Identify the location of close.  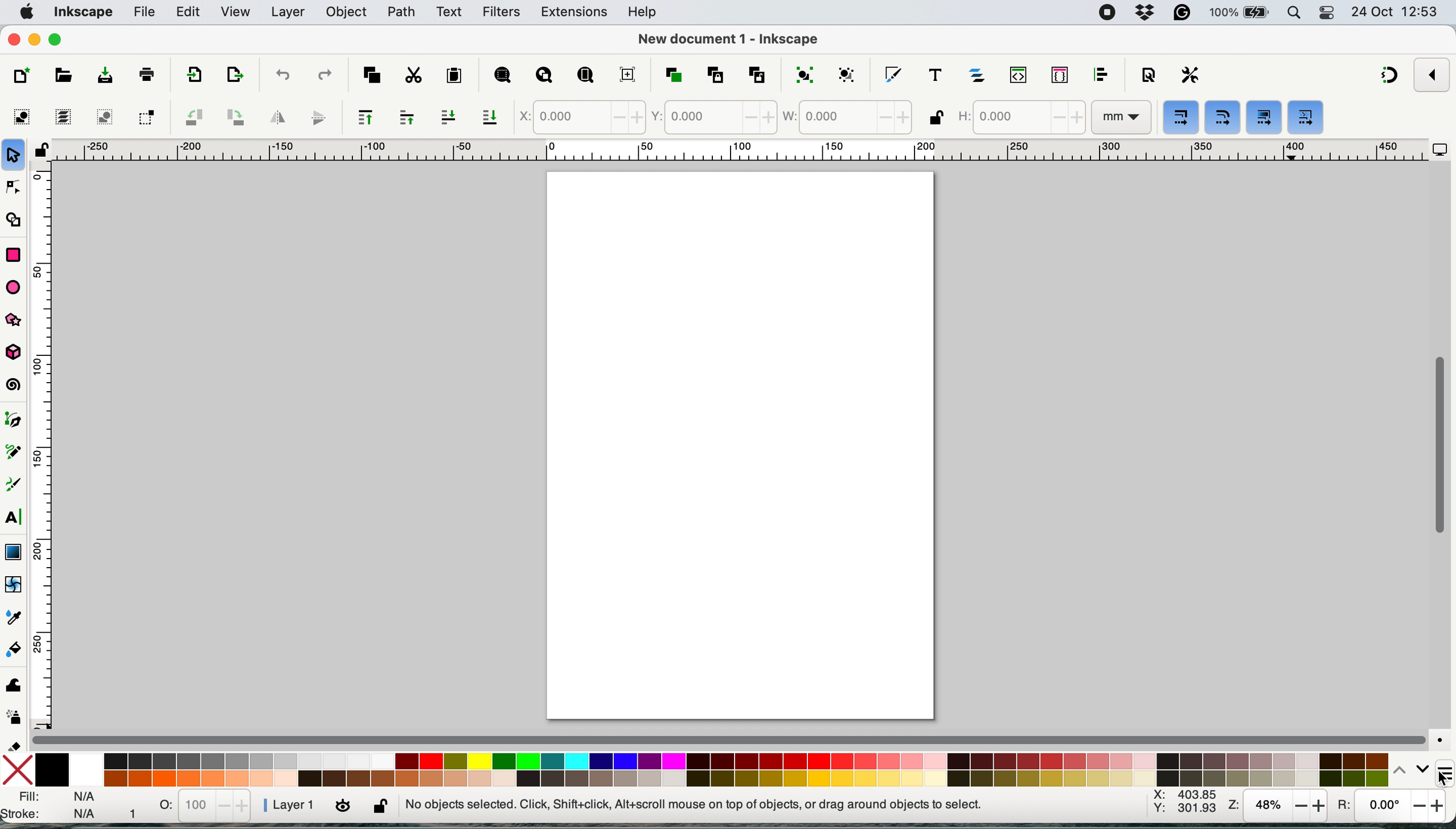
(16, 41).